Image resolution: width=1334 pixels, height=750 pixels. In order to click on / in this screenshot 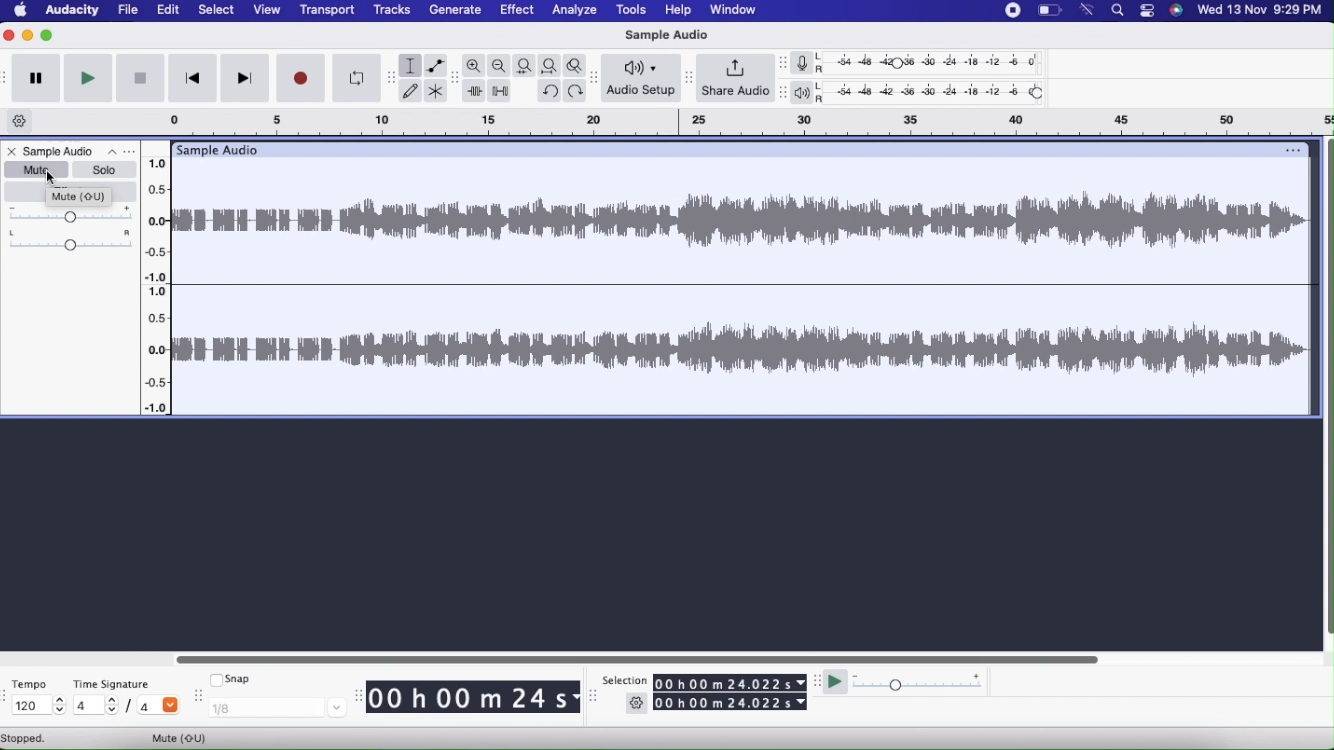, I will do `click(131, 706)`.